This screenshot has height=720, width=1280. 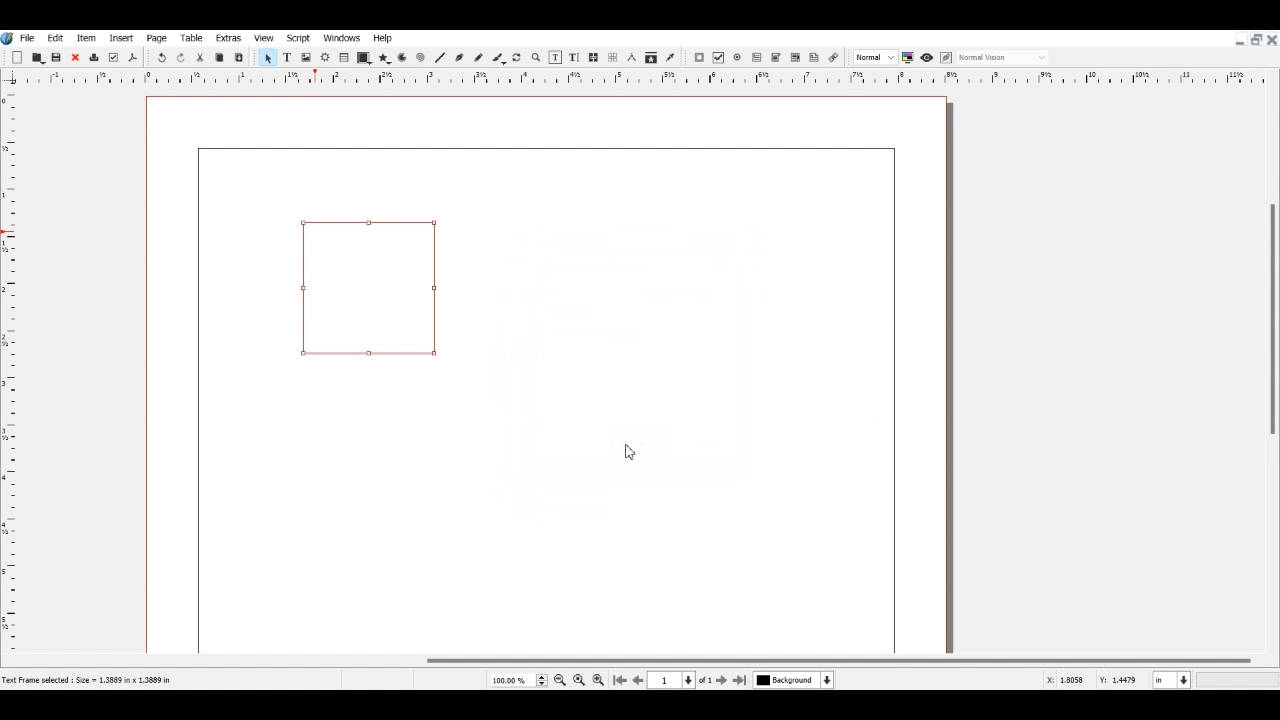 I want to click on Copy, so click(x=218, y=57).